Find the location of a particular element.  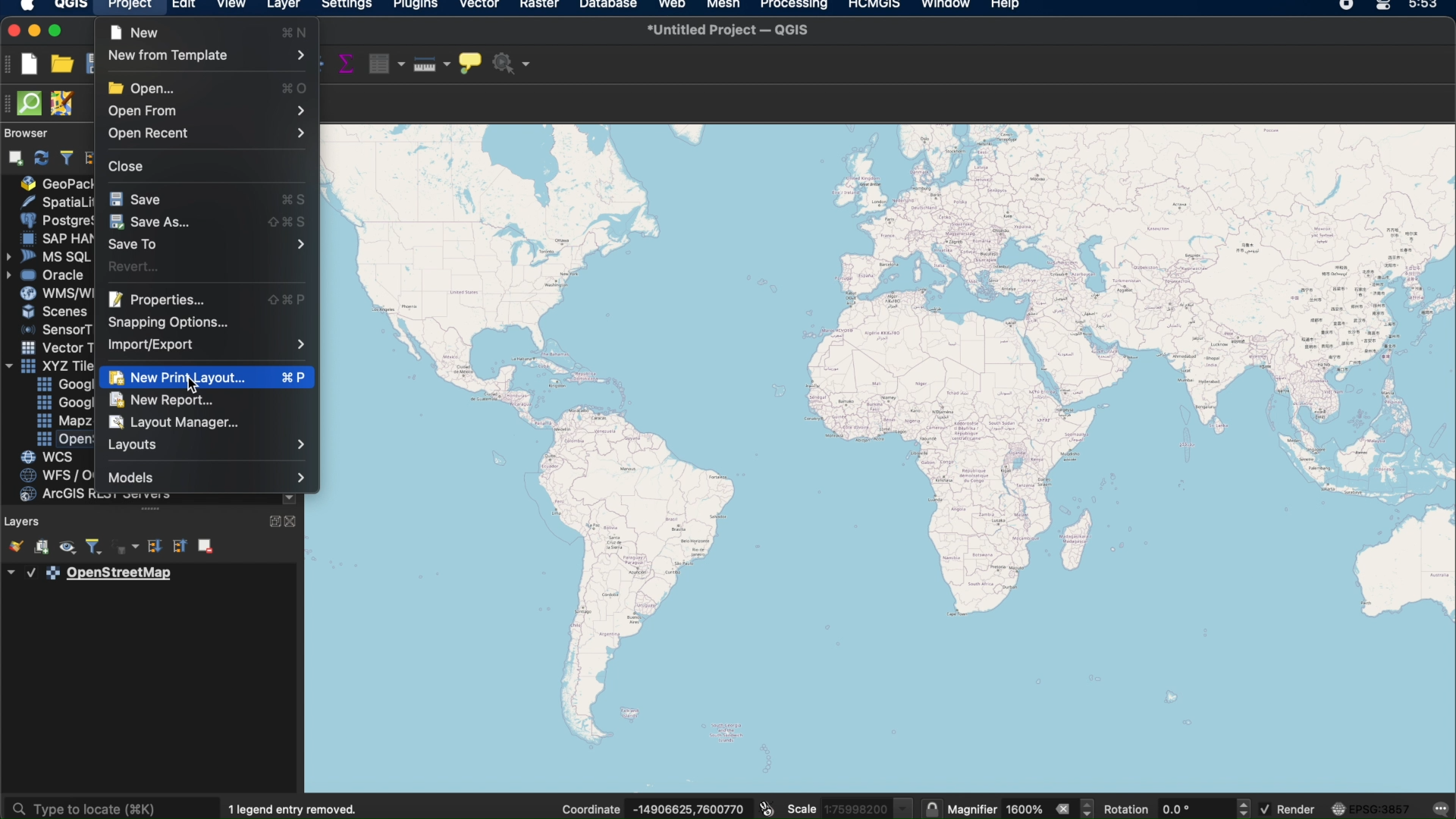

messages is located at coordinates (1441, 807).